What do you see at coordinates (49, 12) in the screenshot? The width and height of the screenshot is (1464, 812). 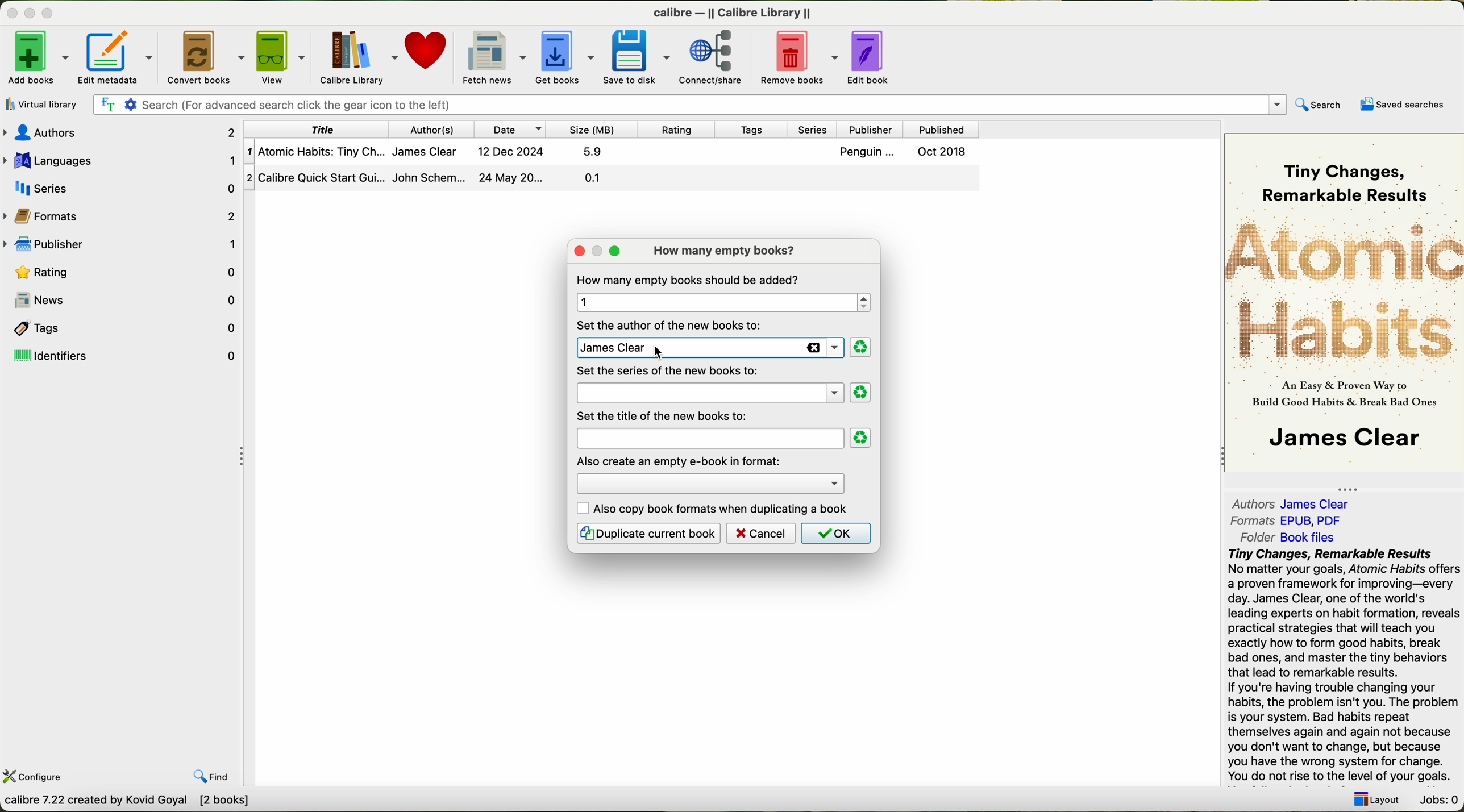 I see `maximize` at bounding box center [49, 12].